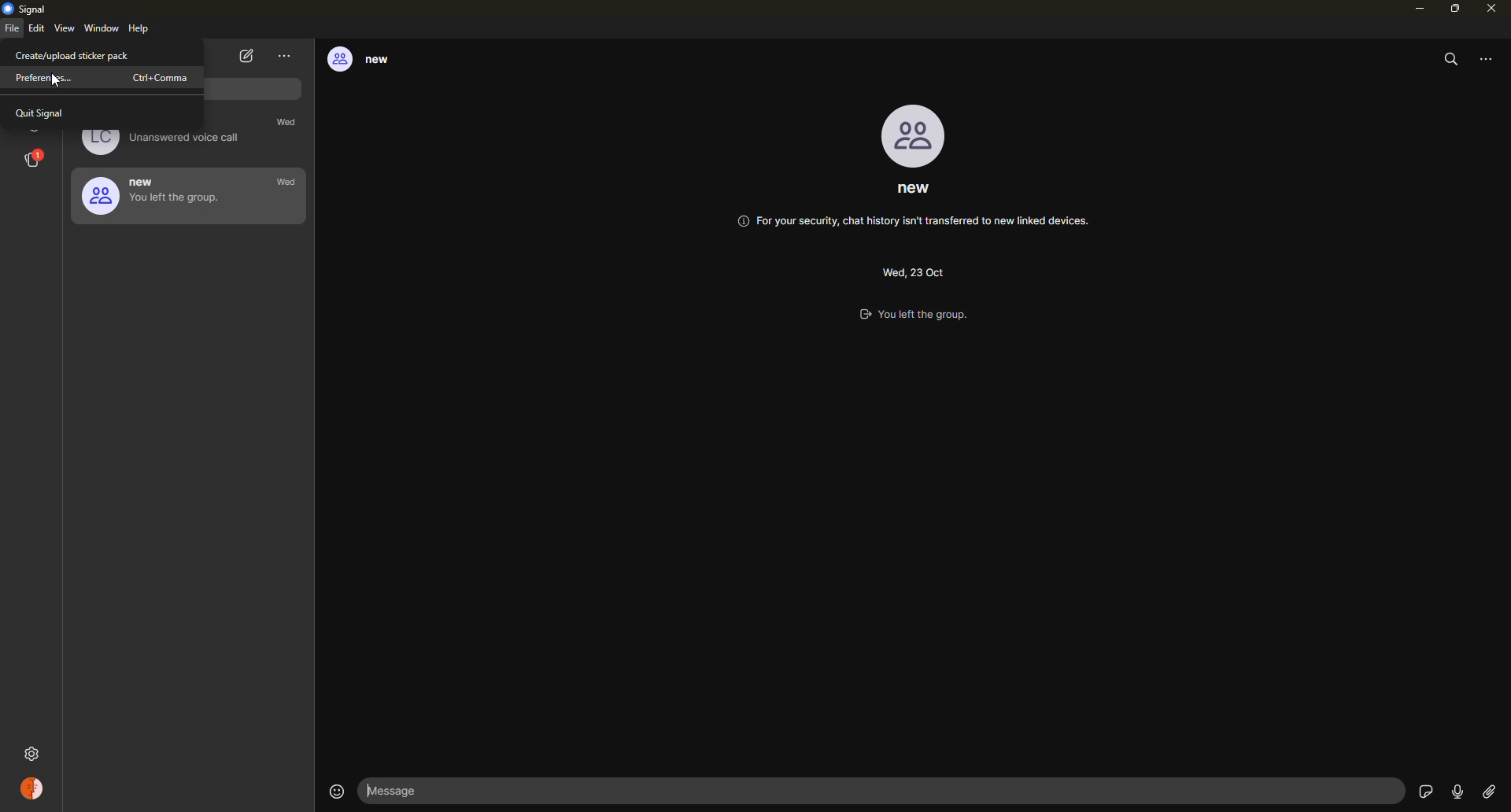 This screenshot has width=1511, height=812. What do you see at coordinates (1491, 58) in the screenshot?
I see `more` at bounding box center [1491, 58].